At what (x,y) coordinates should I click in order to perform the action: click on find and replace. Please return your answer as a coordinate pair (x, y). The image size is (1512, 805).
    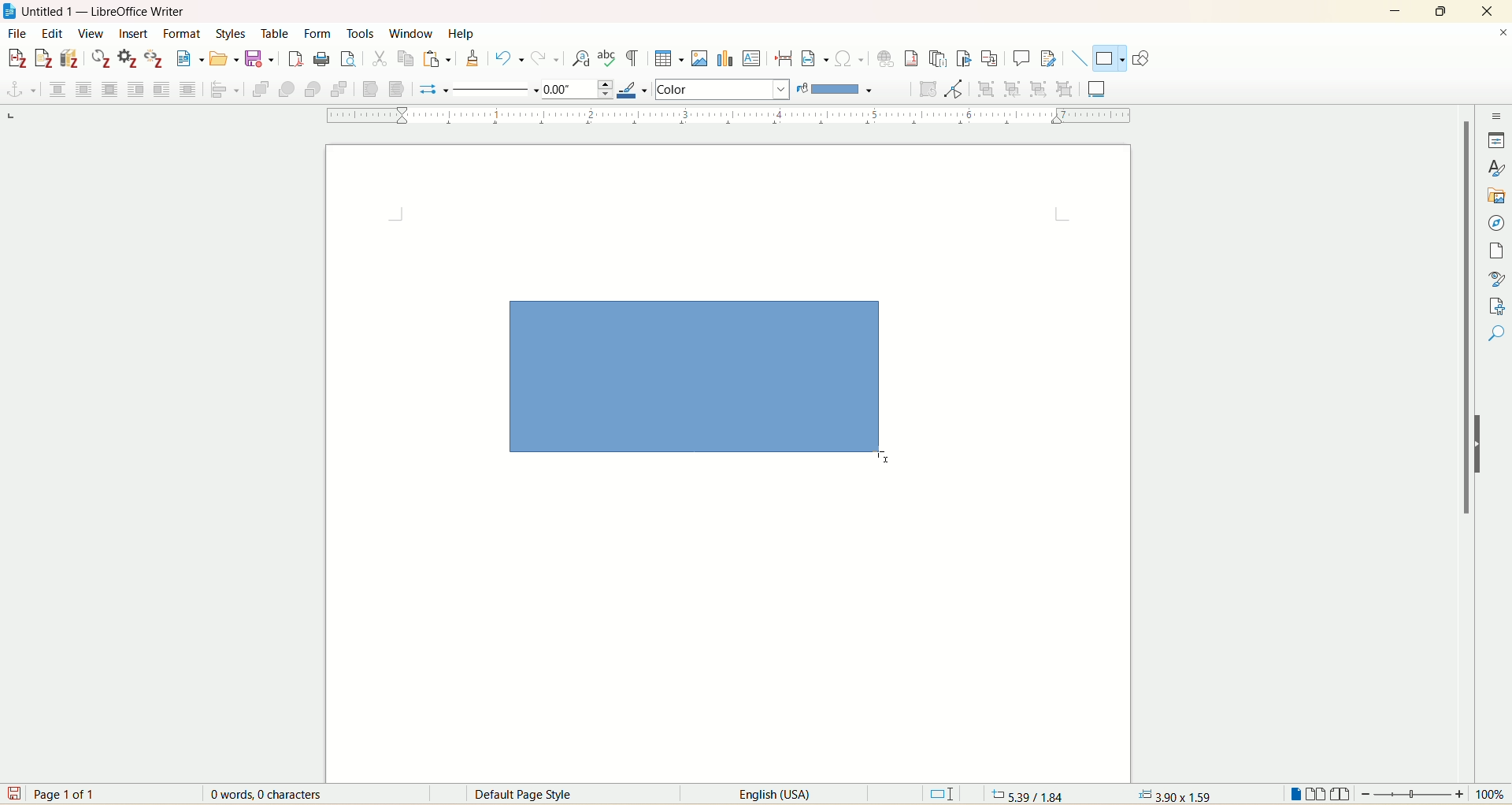
    Looking at the image, I should click on (582, 59).